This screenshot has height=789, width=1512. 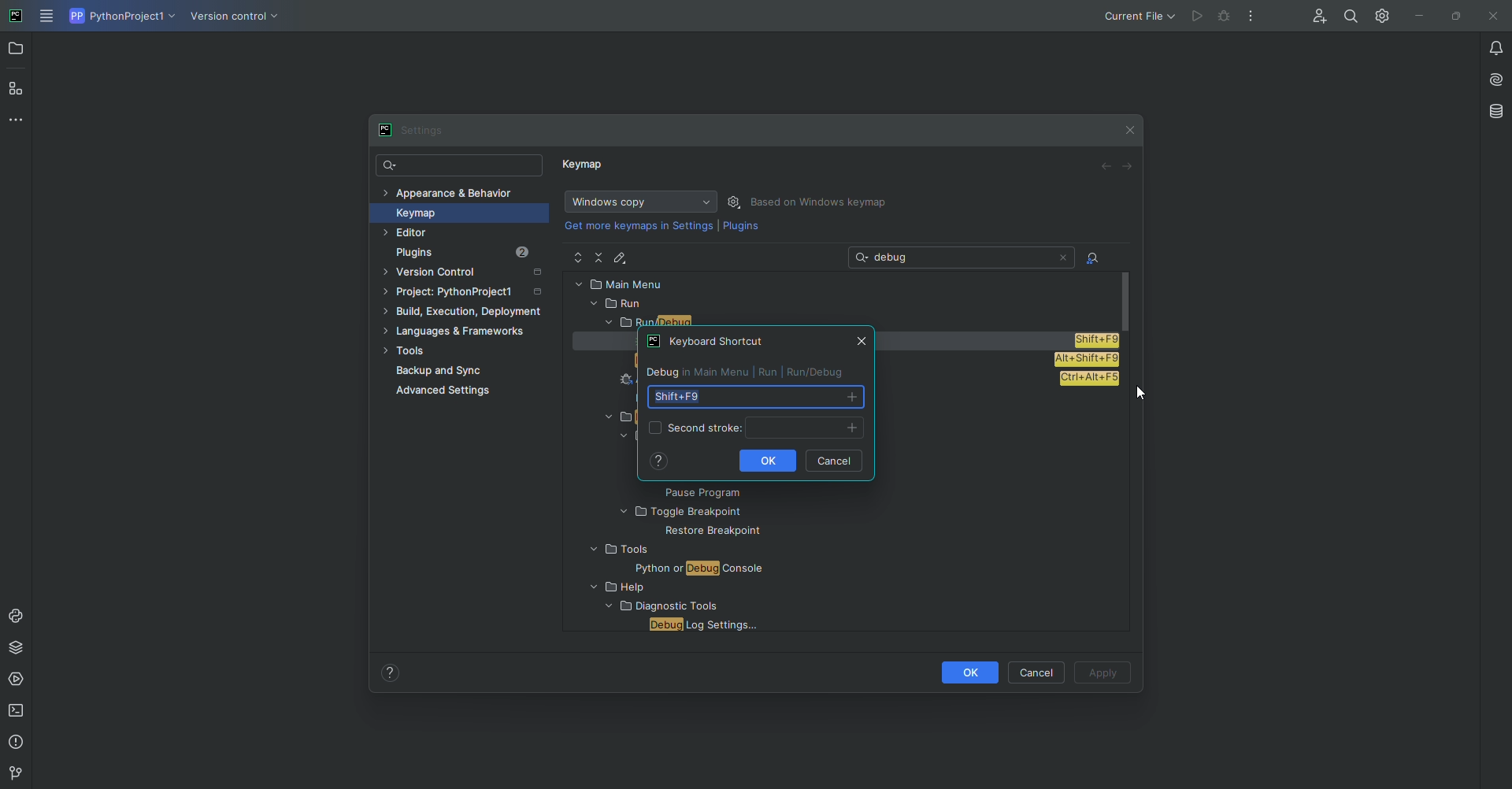 What do you see at coordinates (13, 774) in the screenshot?
I see `version Control` at bounding box center [13, 774].